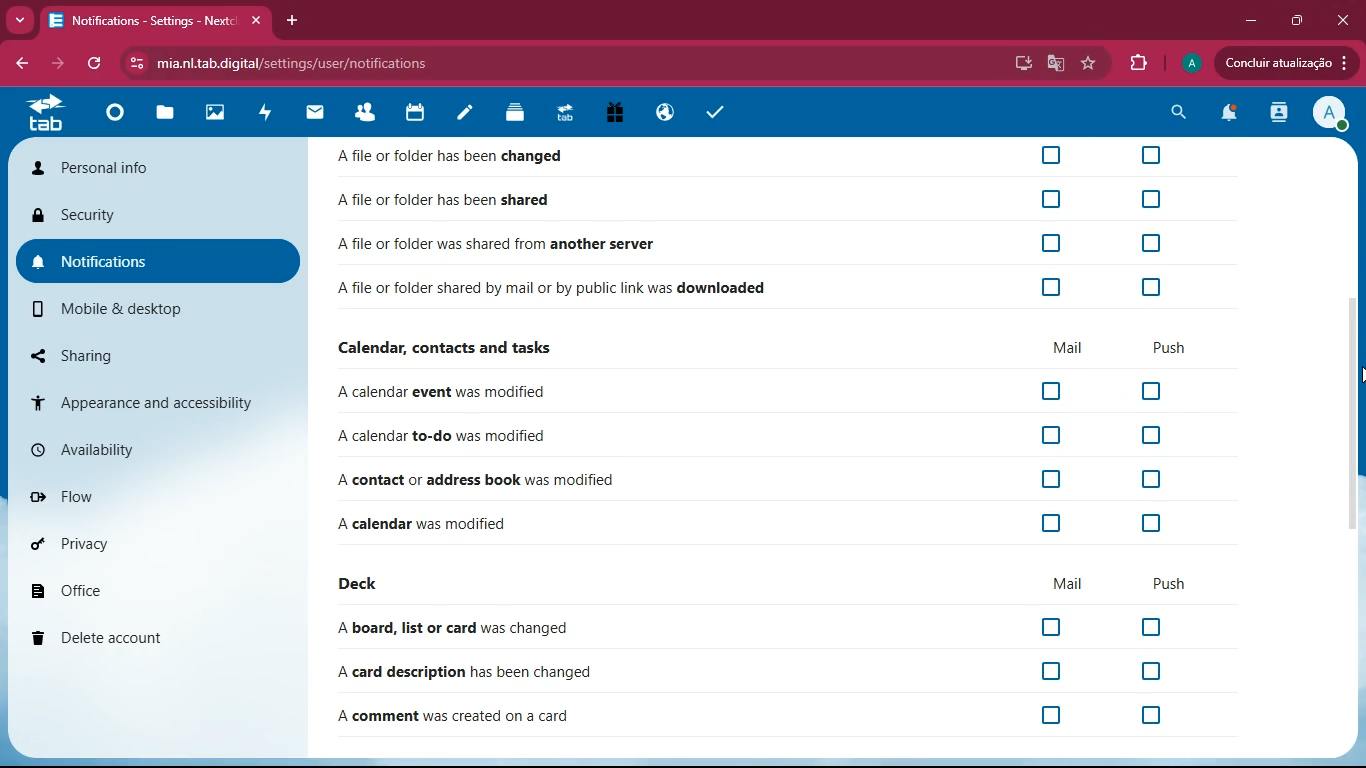  What do you see at coordinates (617, 114) in the screenshot?
I see `gift` at bounding box center [617, 114].